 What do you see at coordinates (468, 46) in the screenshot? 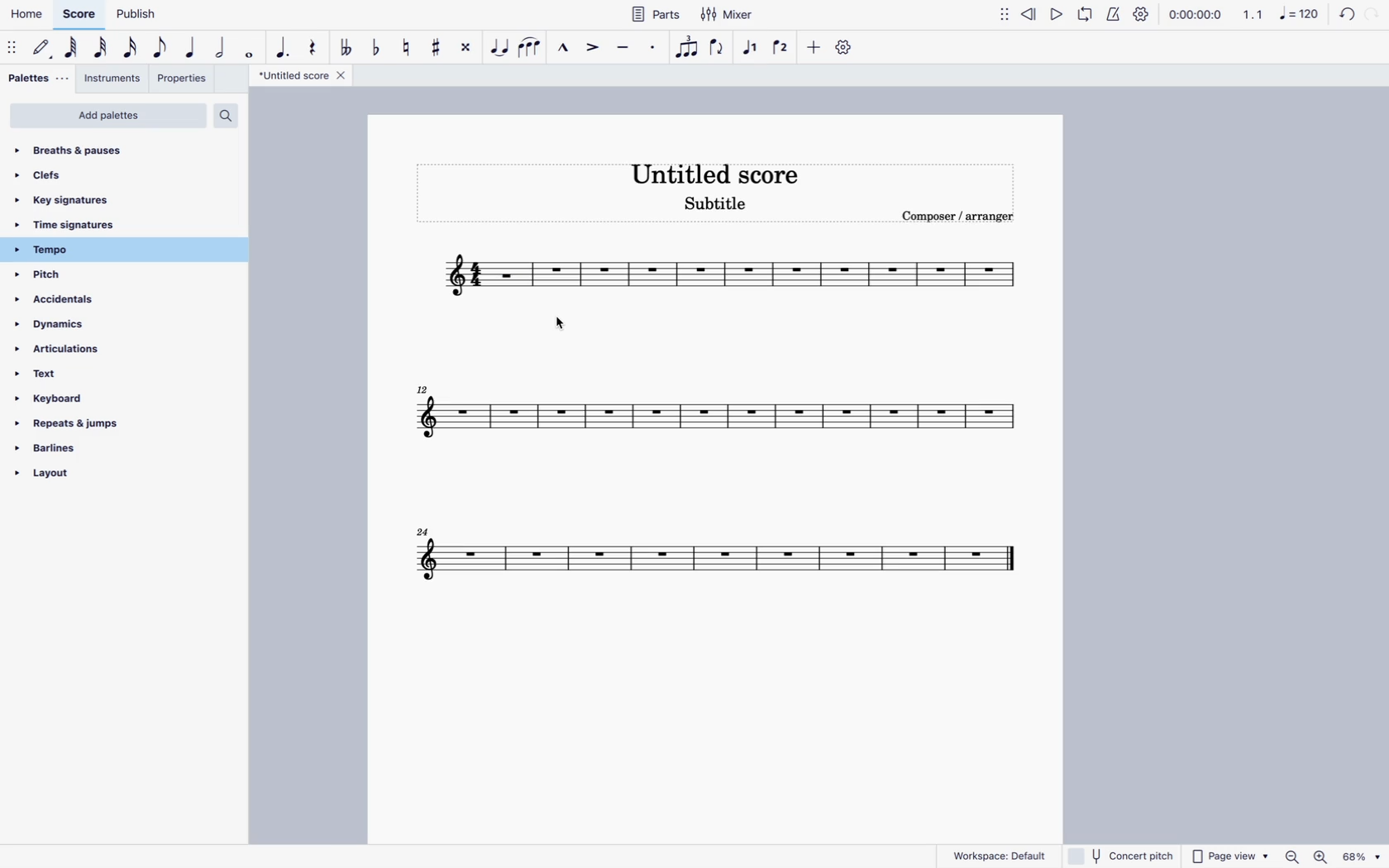
I see `toggle double sharp` at bounding box center [468, 46].